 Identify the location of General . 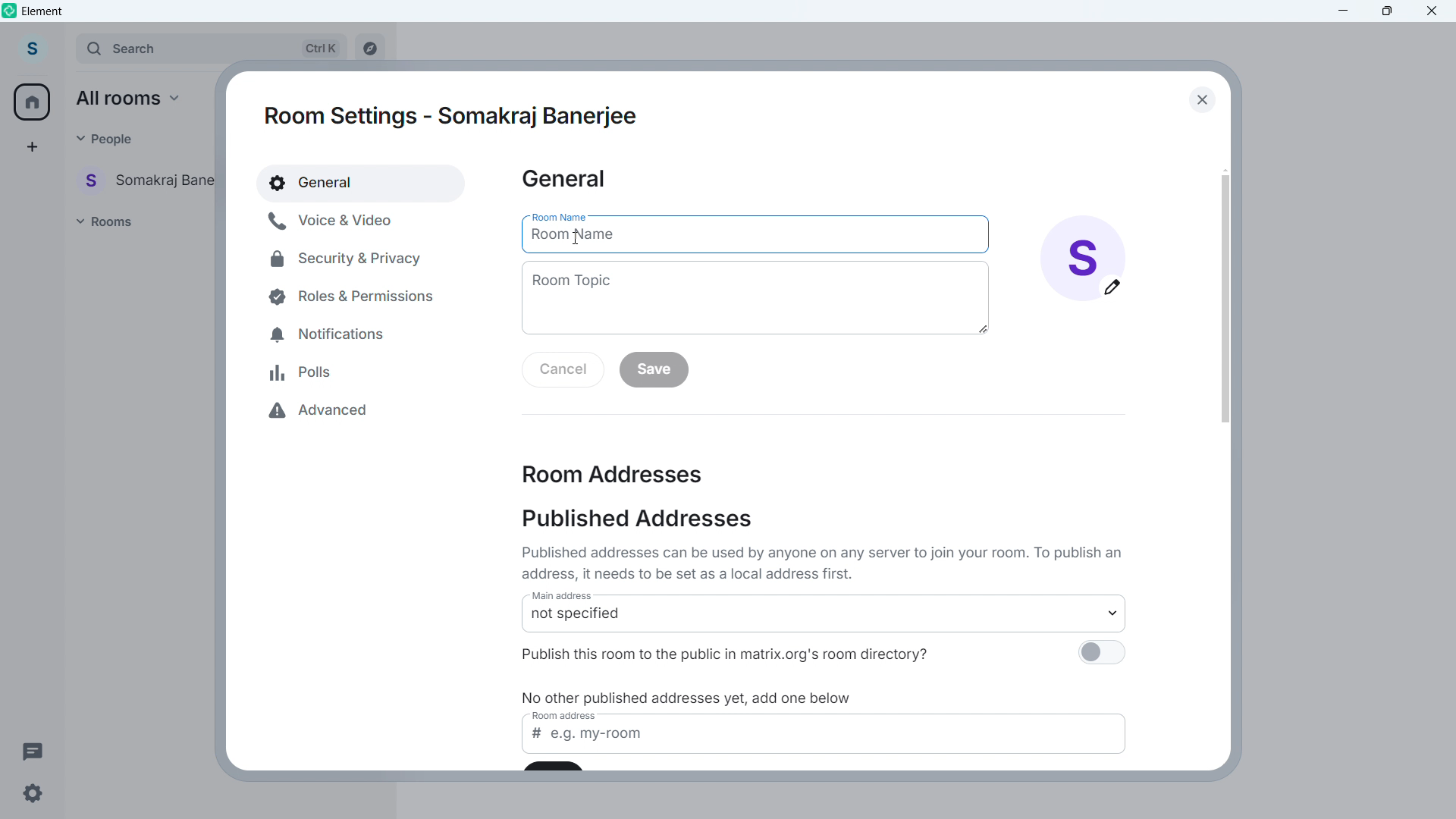
(362, 183).